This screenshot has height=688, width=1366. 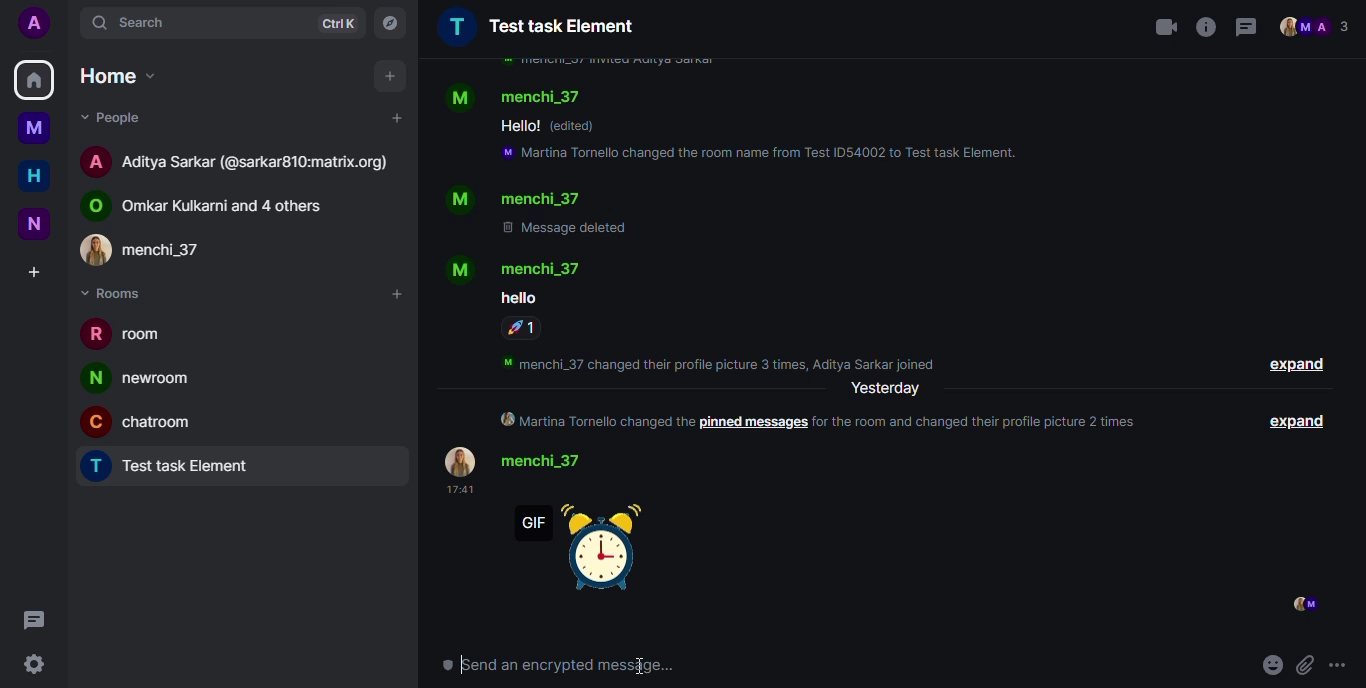 What do you see at coordinates (1308, 660) in the screenshot?
I see `attach` at bounding box center [1308, 660].